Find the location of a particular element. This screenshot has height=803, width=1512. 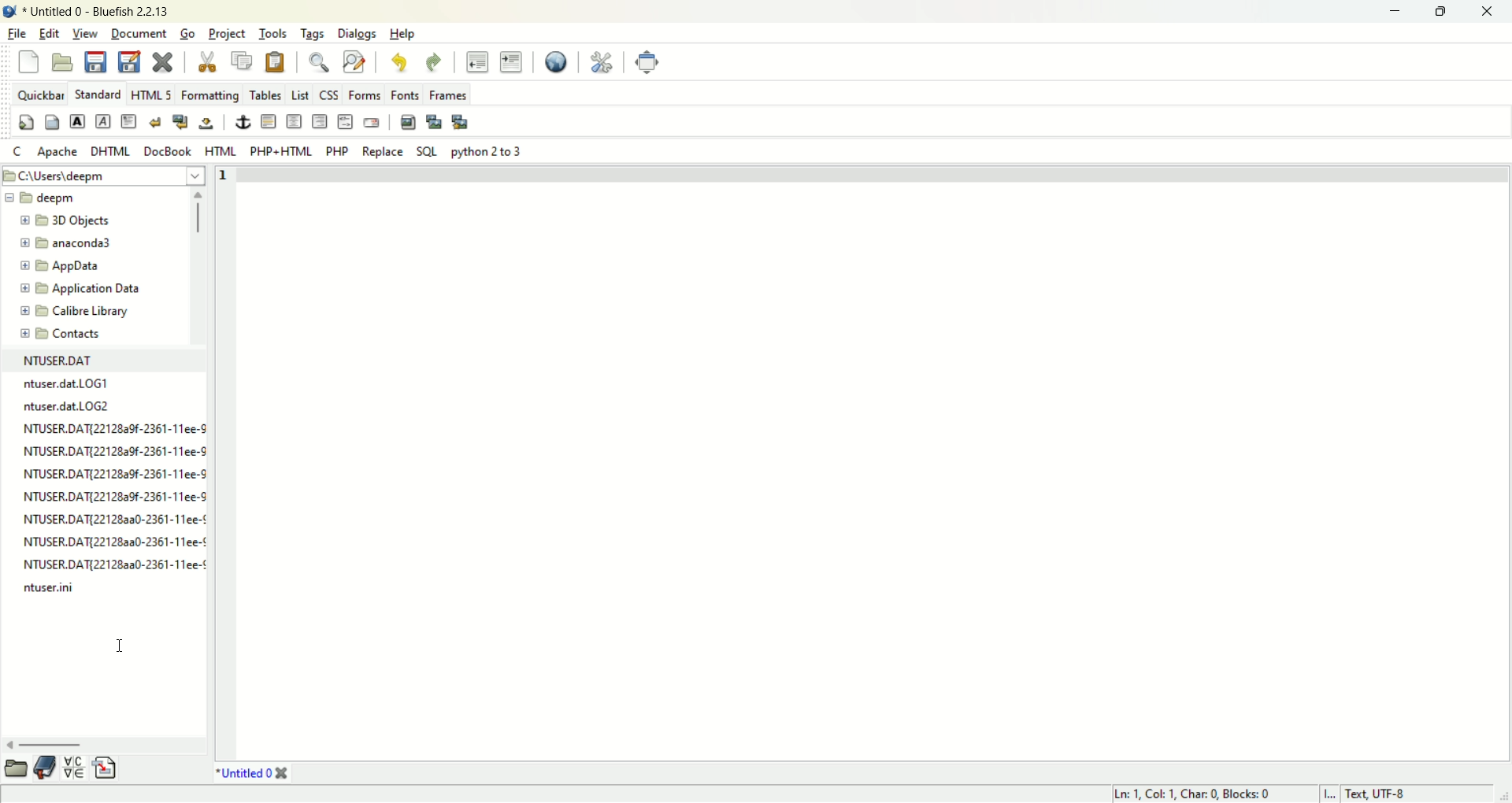

NTUSER.DATI22128a3a0-2361-11ee-¢ is located at coordinates (113, 519).